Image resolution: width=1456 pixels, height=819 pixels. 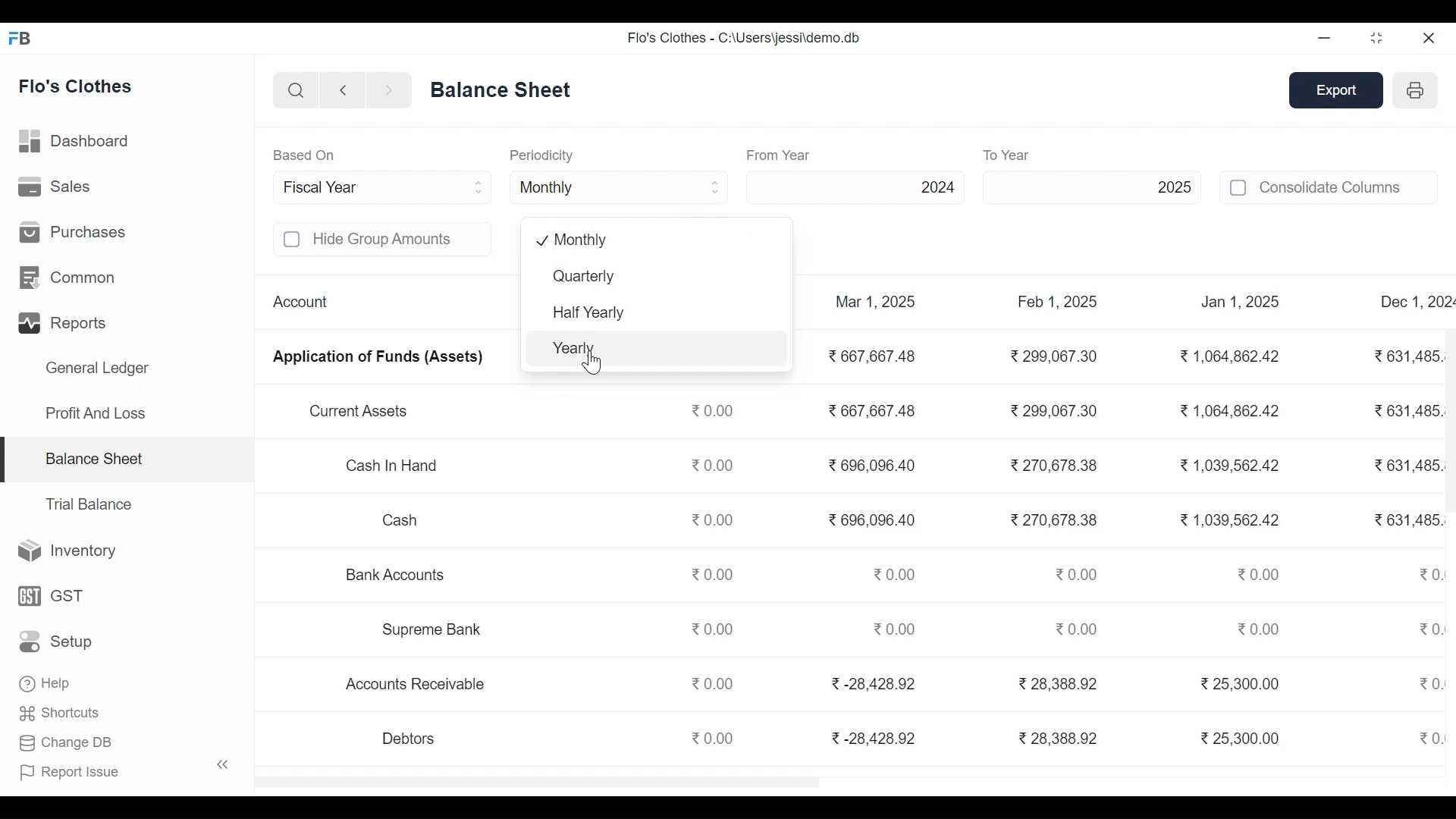 I want to click on Hide Group Amounts, so click(x=400, y=239).